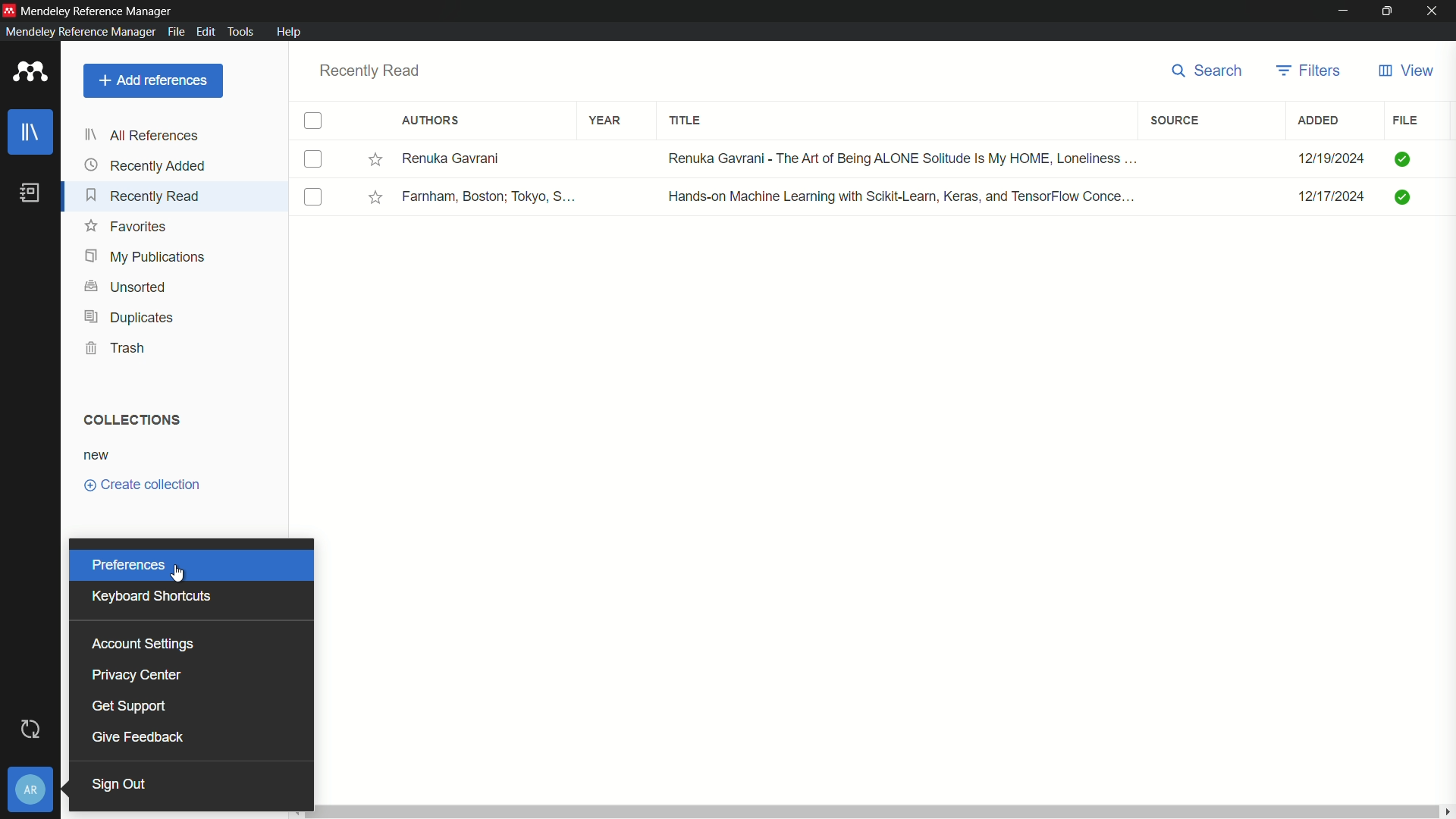  I want to click on library, so click(32, 132).